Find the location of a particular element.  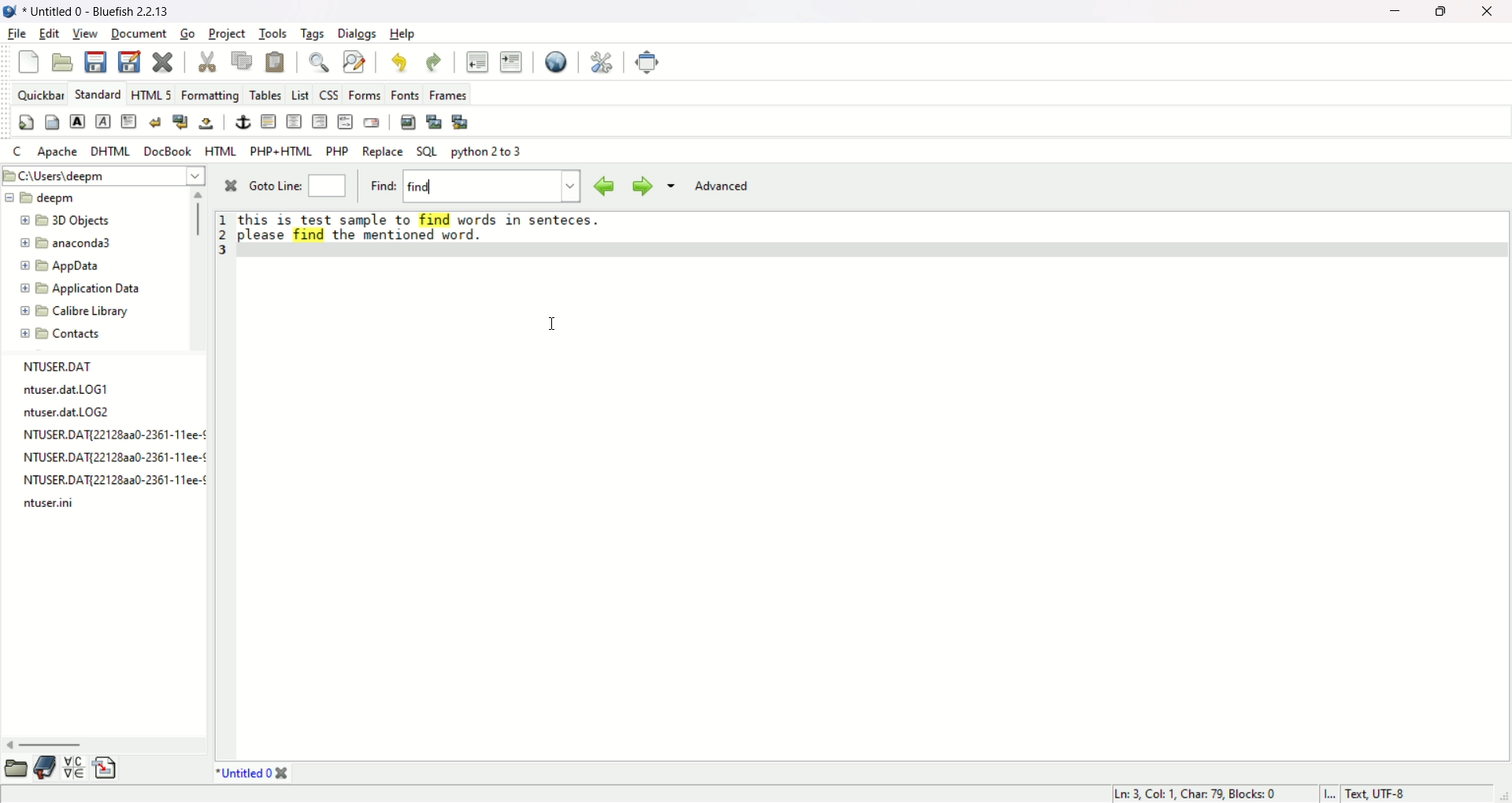

forms is located at coordinates (363, 94).